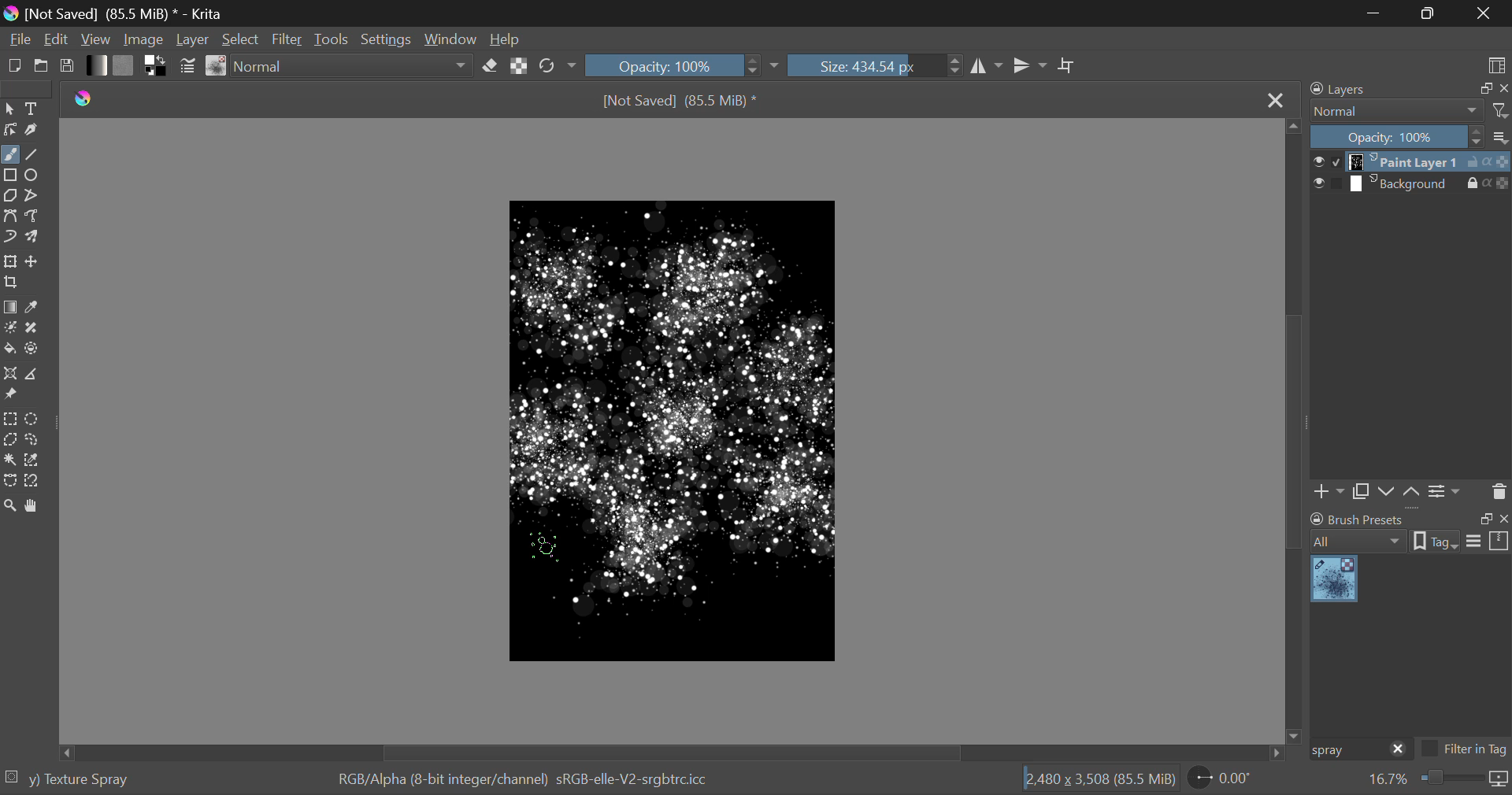 This screenshot has height=795, width=1512. I want to click on restore, so click(1483, 519).